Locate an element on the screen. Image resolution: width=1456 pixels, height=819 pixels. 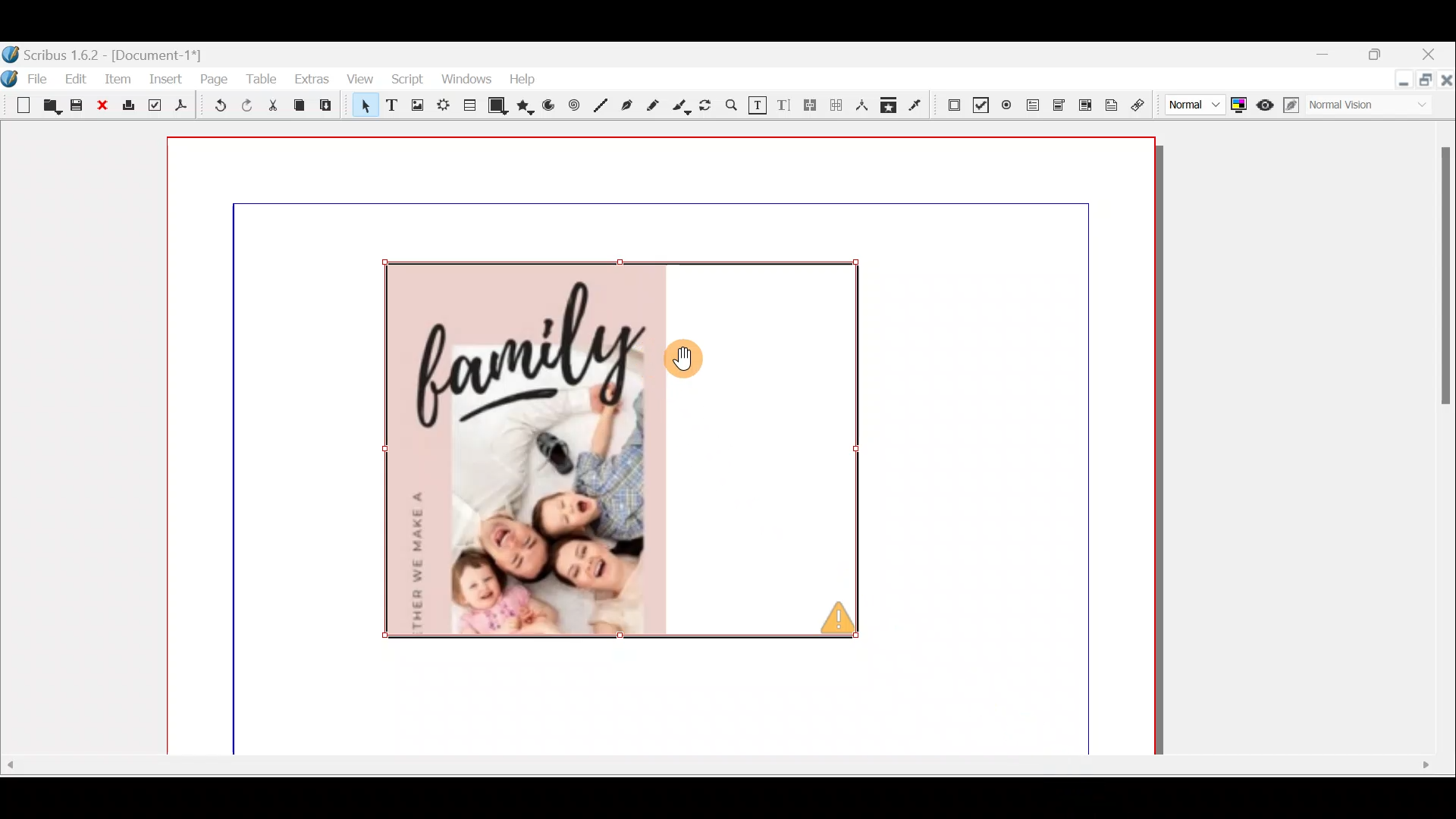
Polygon is located at coordinates (525, 107).